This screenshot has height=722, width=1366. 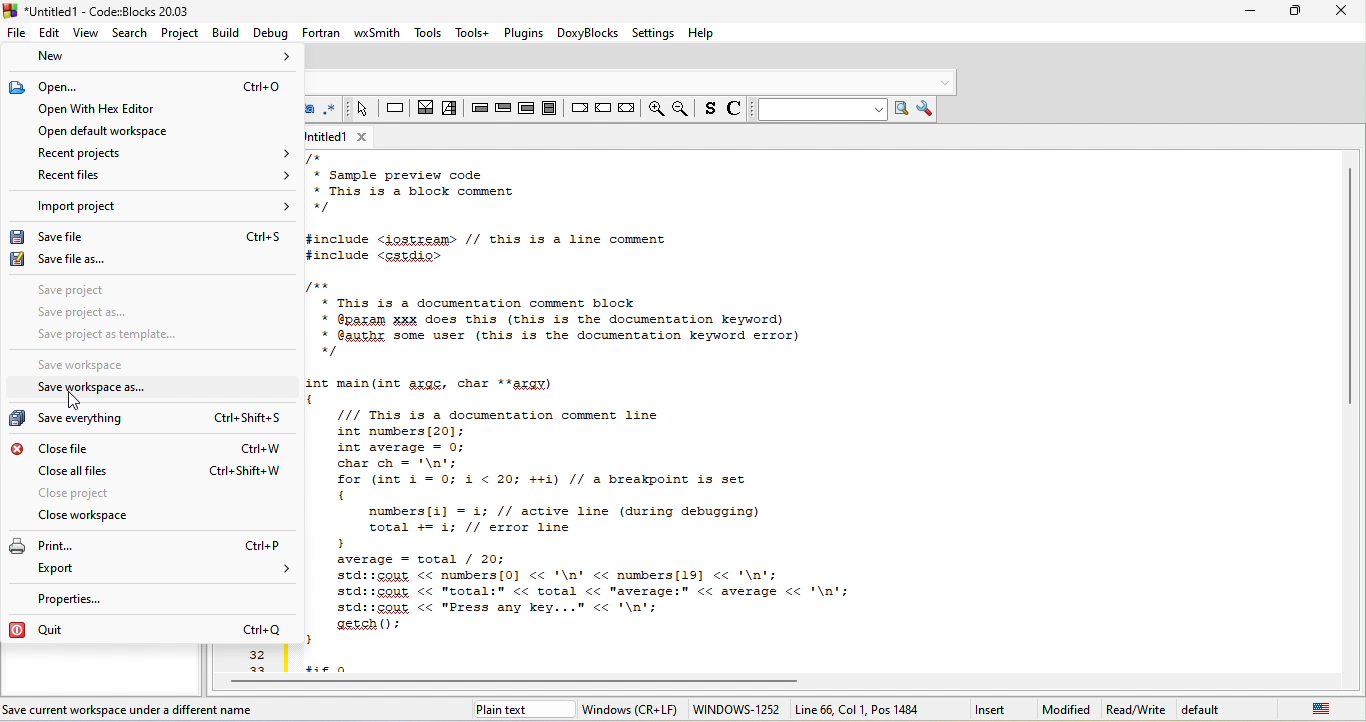 I want to click on save project, so click(x=105, y=290).